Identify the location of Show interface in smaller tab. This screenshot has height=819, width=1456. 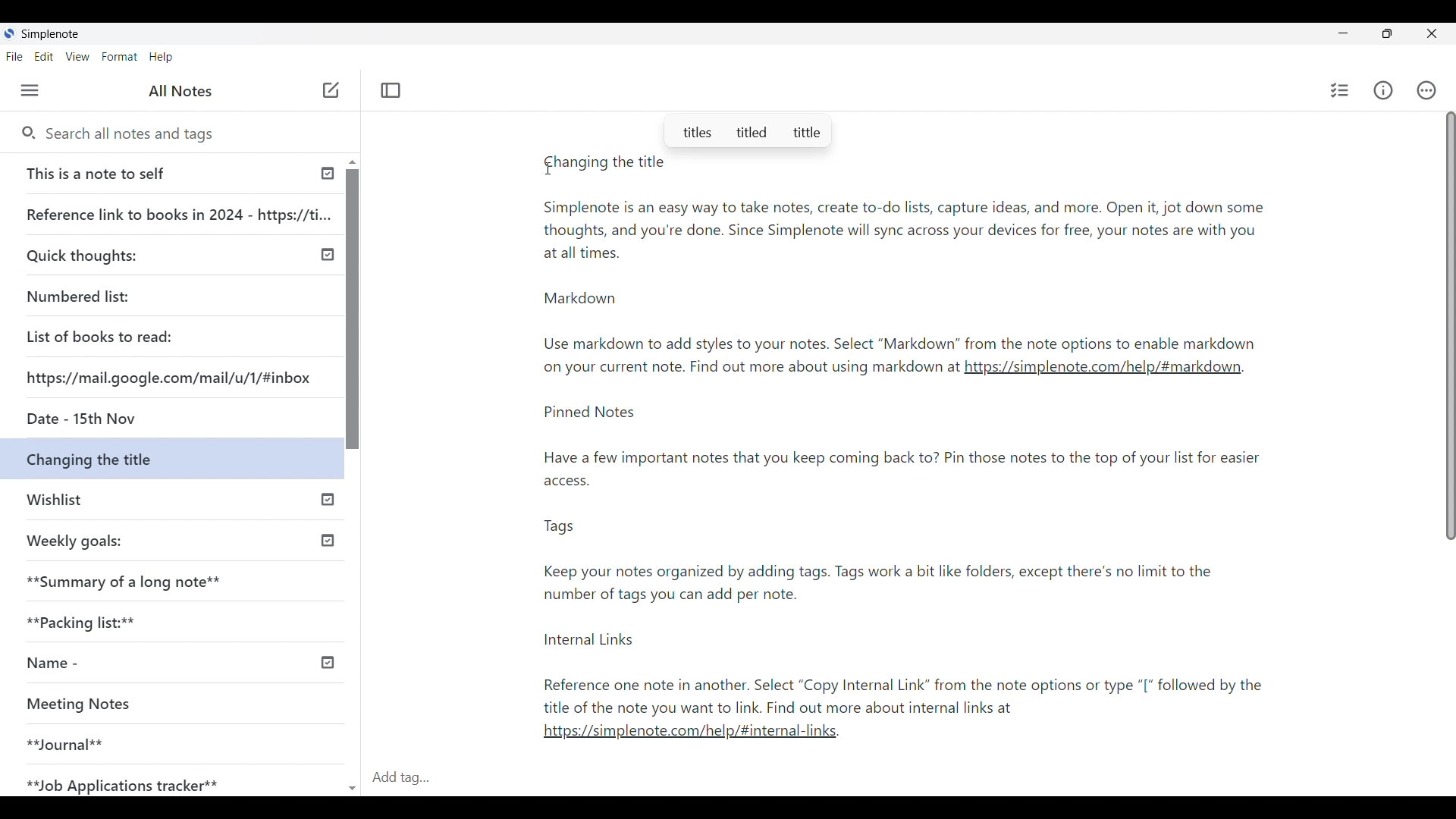
(1387, 33).